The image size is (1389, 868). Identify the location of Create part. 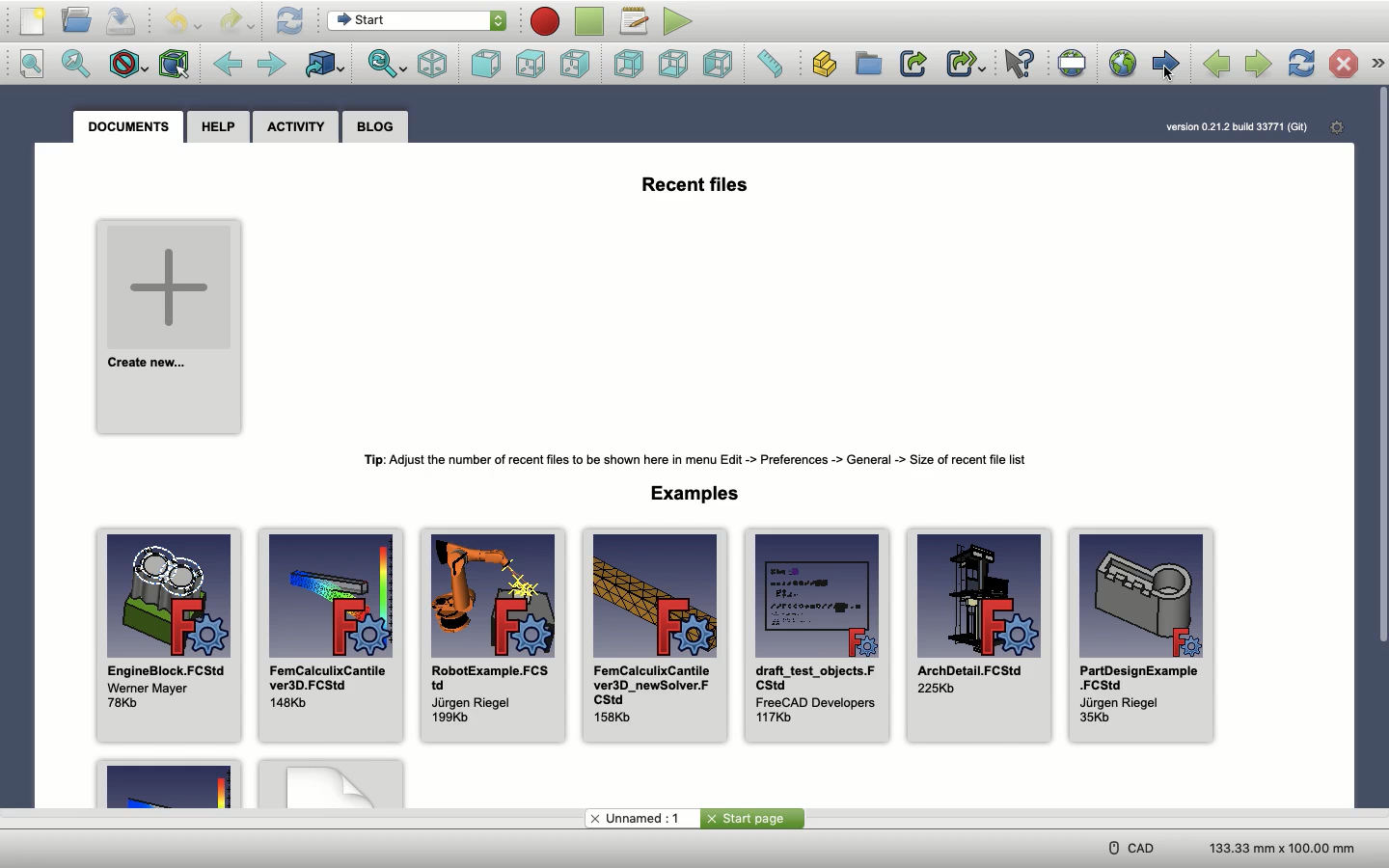
(831, 65).